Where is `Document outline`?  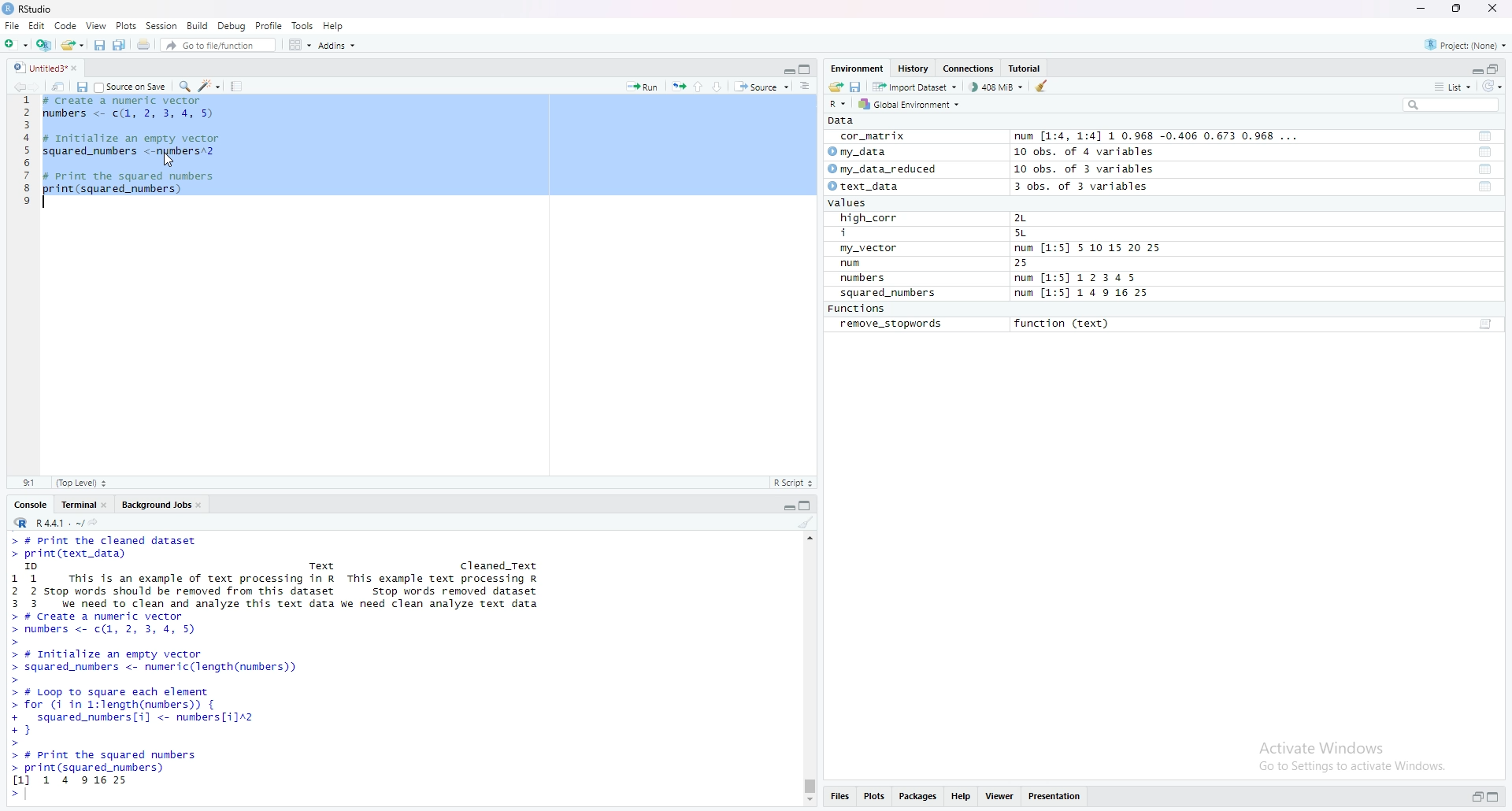 Document outline is located at coordinates (806, 86).